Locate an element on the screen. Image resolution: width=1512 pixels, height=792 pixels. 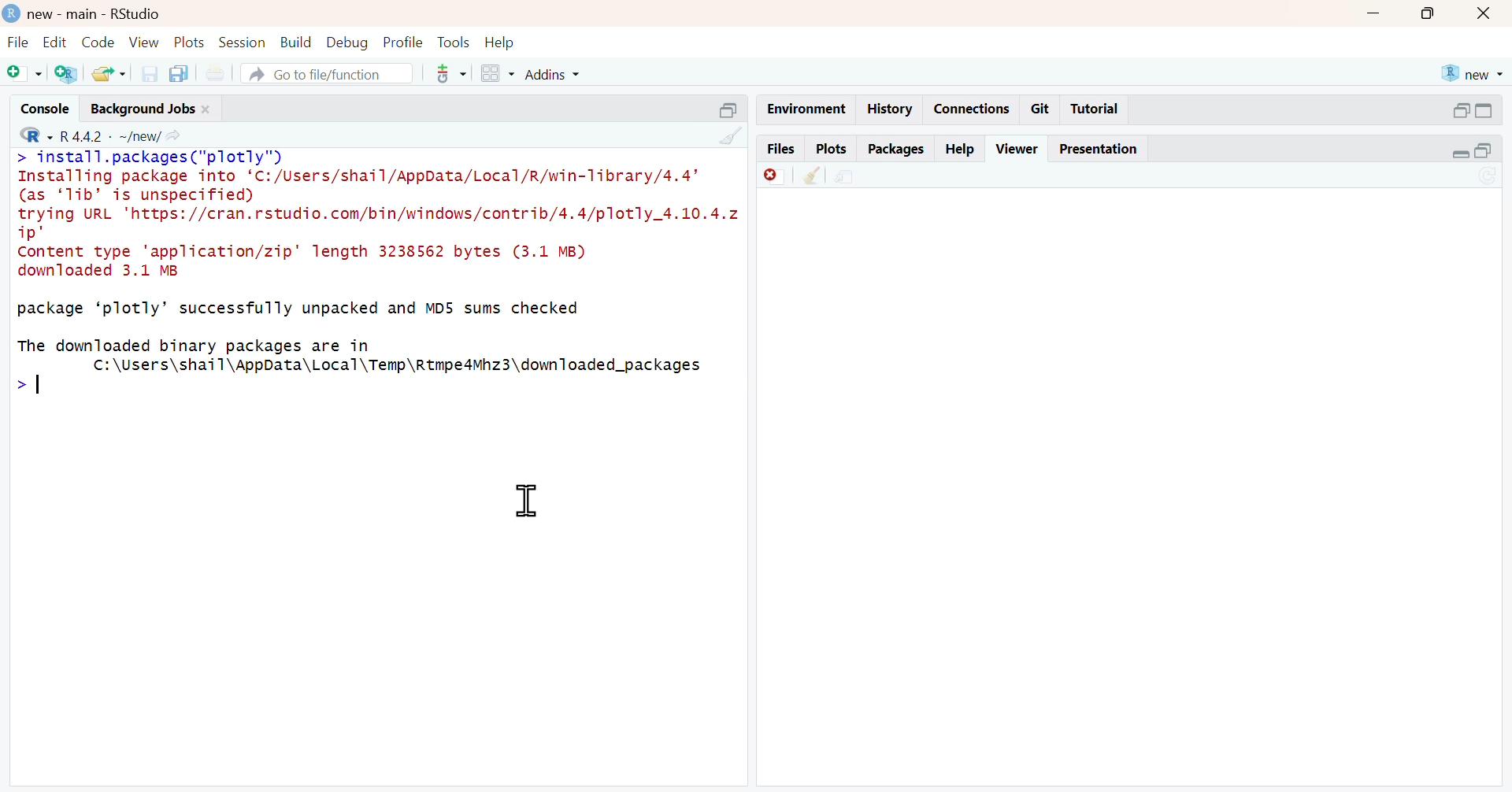
Content type "application/zip length 3238562 bytes (3.1 MB)
downloaded 3.1 MB is located at coordinates (310, 264).